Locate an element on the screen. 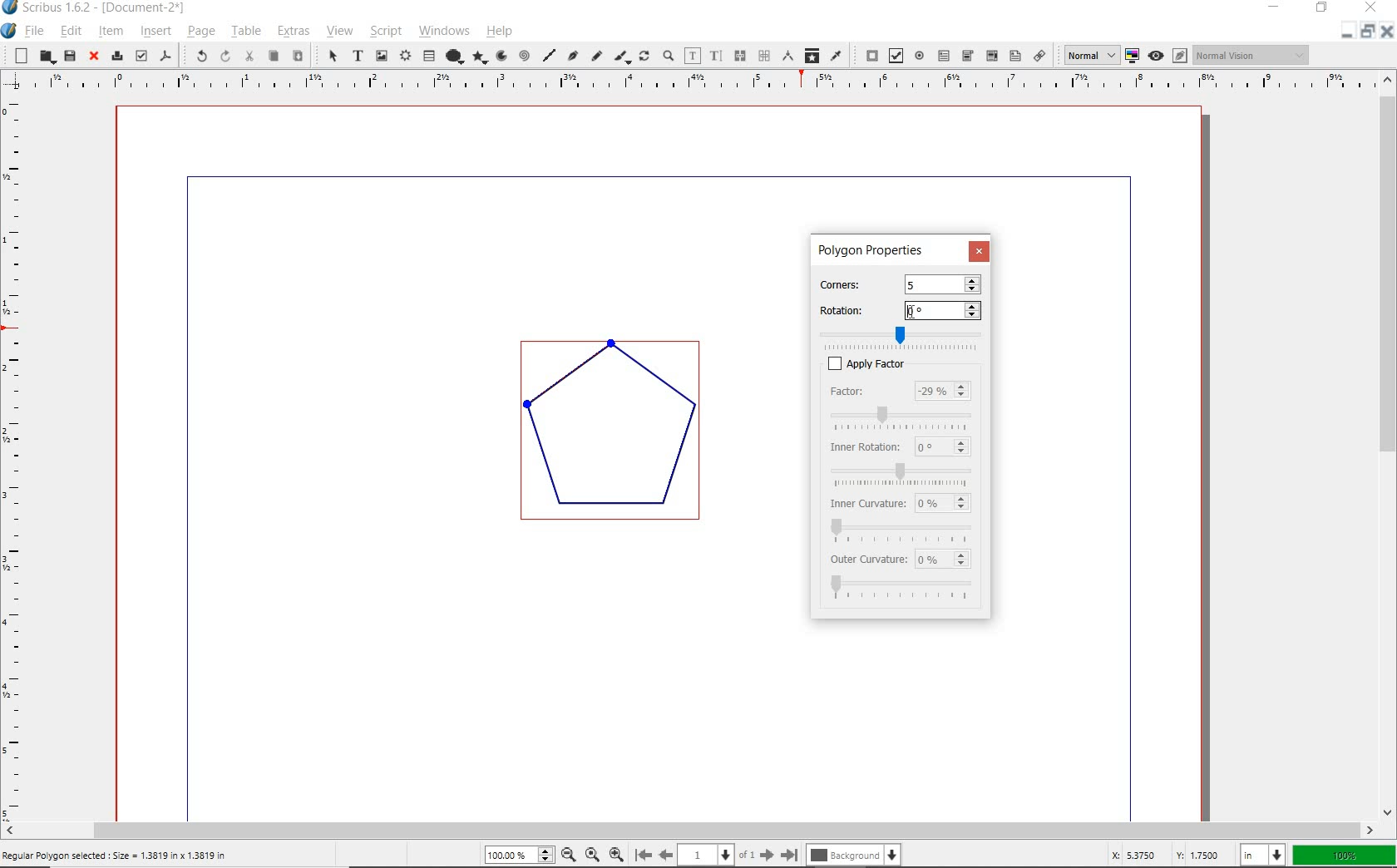 The width and height of the screenshot is (1397, 868). item is located at coordinates (111, 33).